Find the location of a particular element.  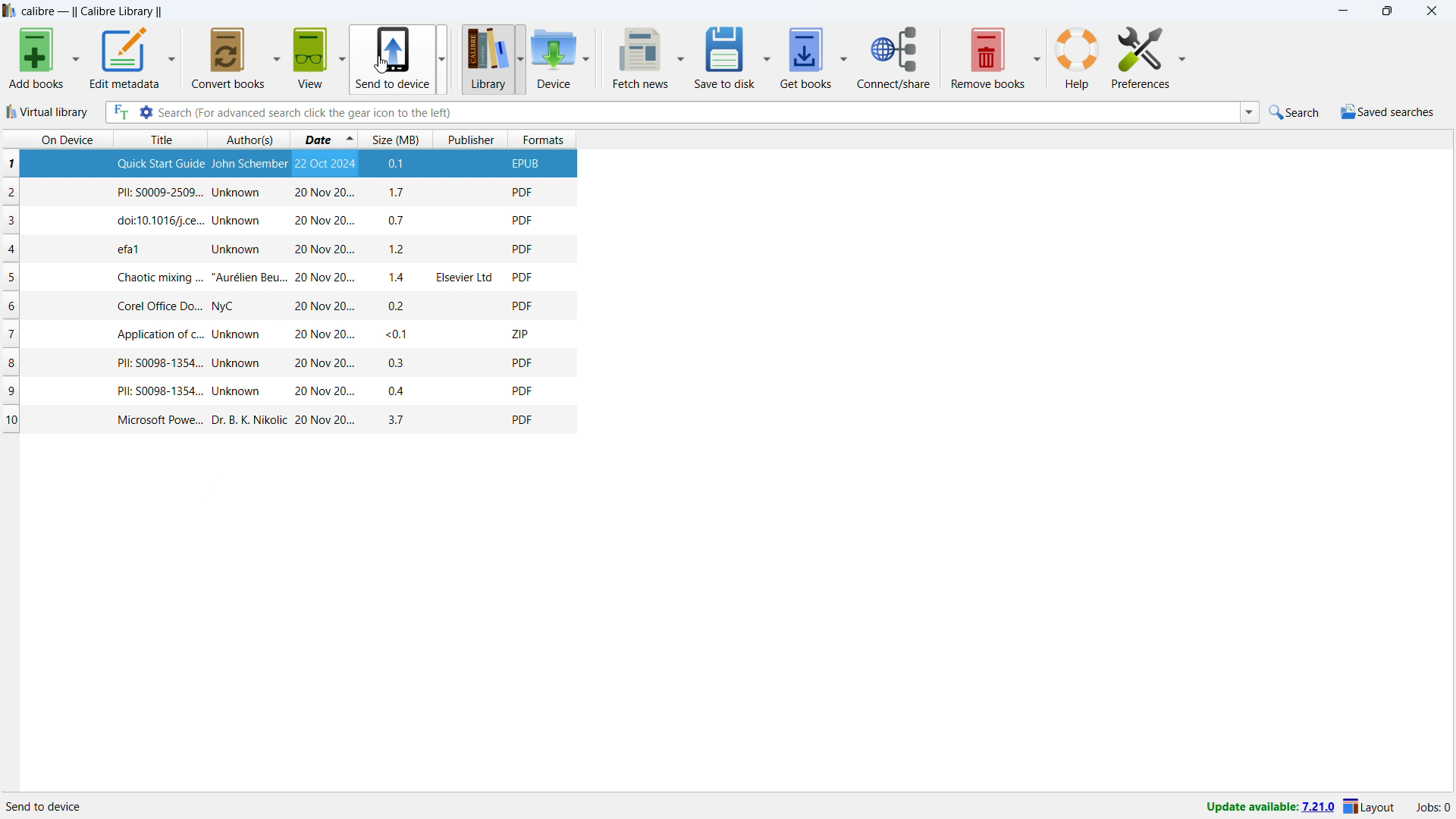

connect/share is located at coordinates (893, 58).